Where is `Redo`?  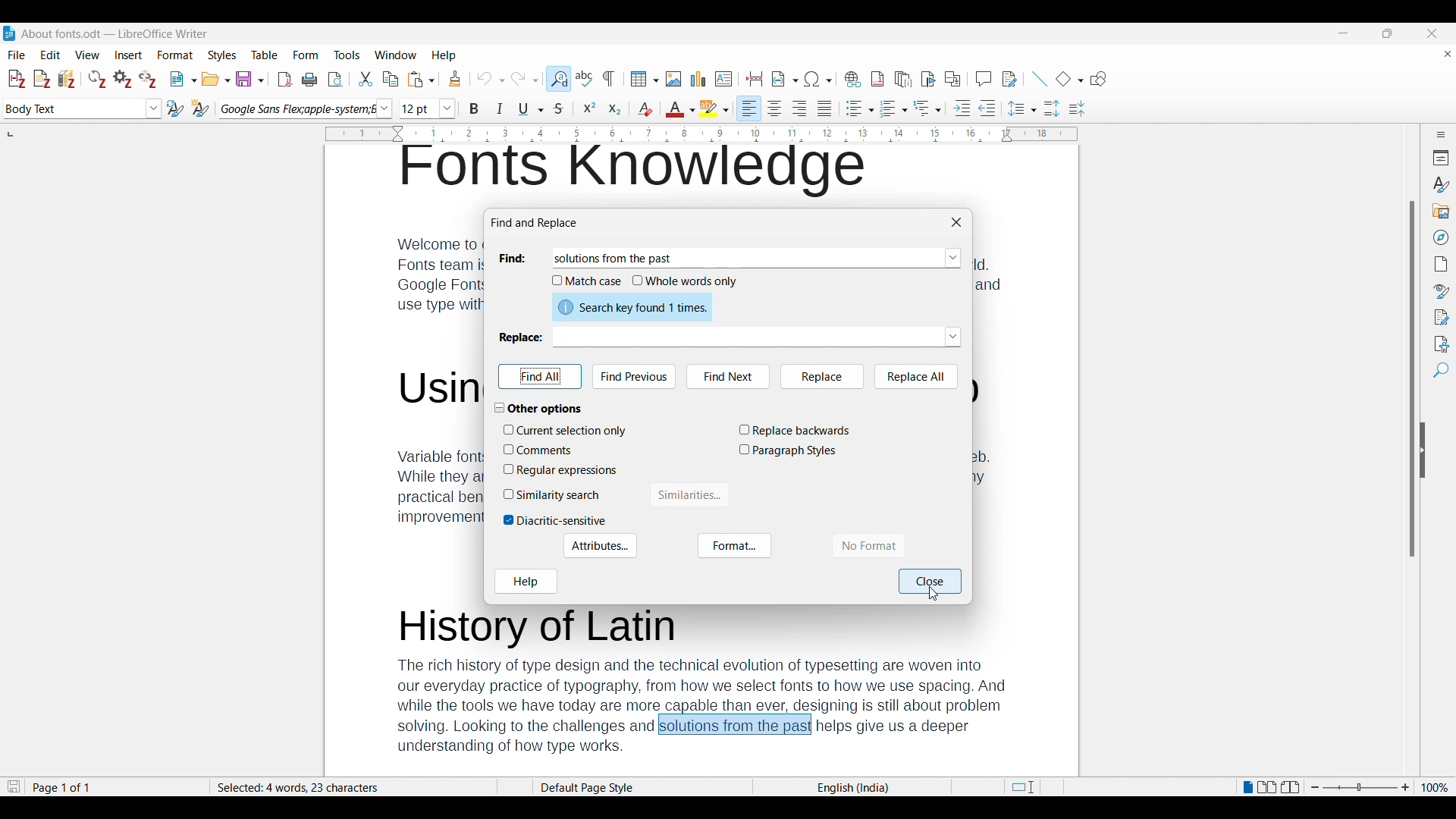
Redo is located at coordinates (524, 77).